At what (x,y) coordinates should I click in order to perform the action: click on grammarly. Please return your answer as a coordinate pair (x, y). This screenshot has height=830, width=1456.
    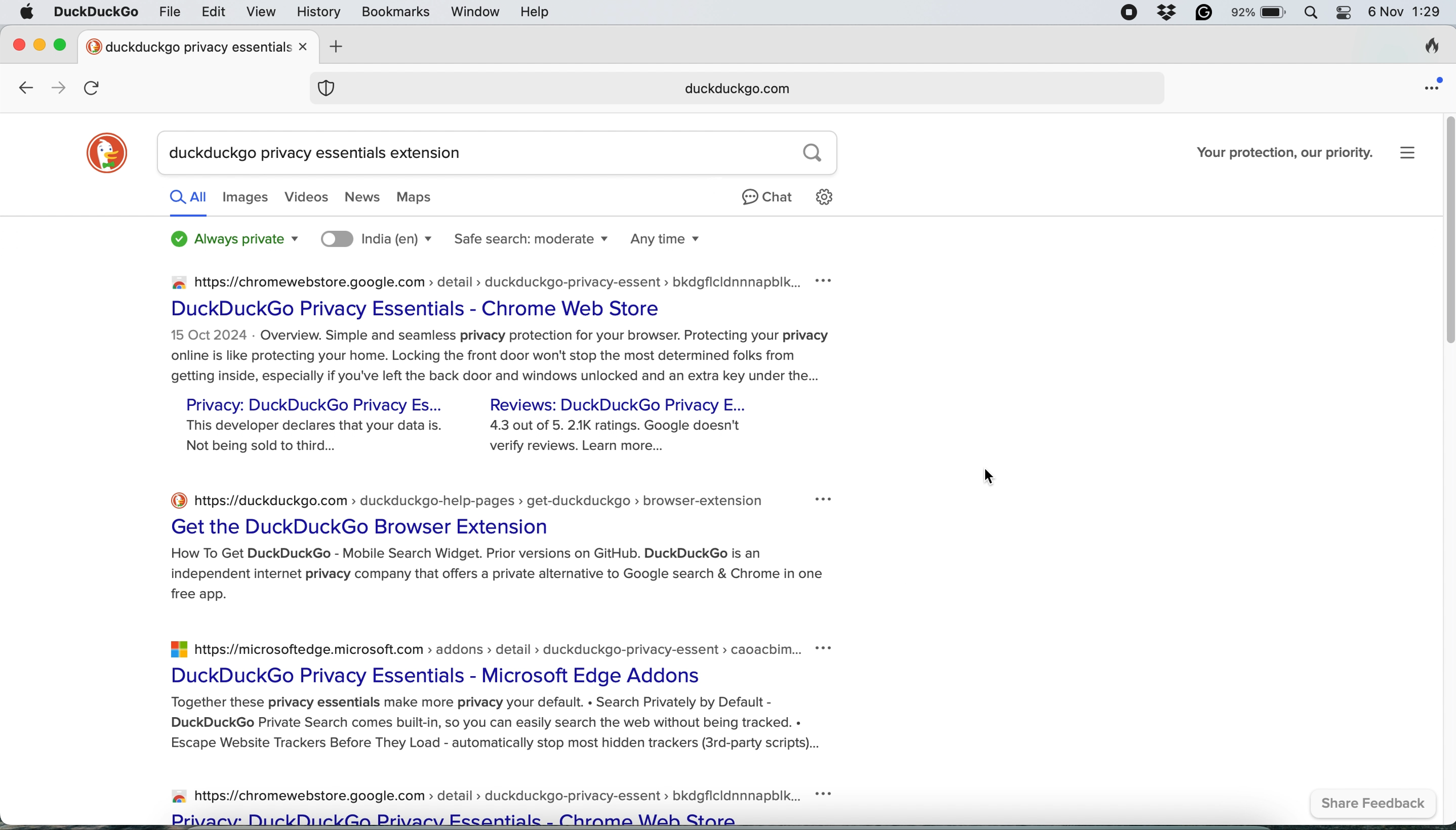
    Looking at the image, I should click on (1209, 13).